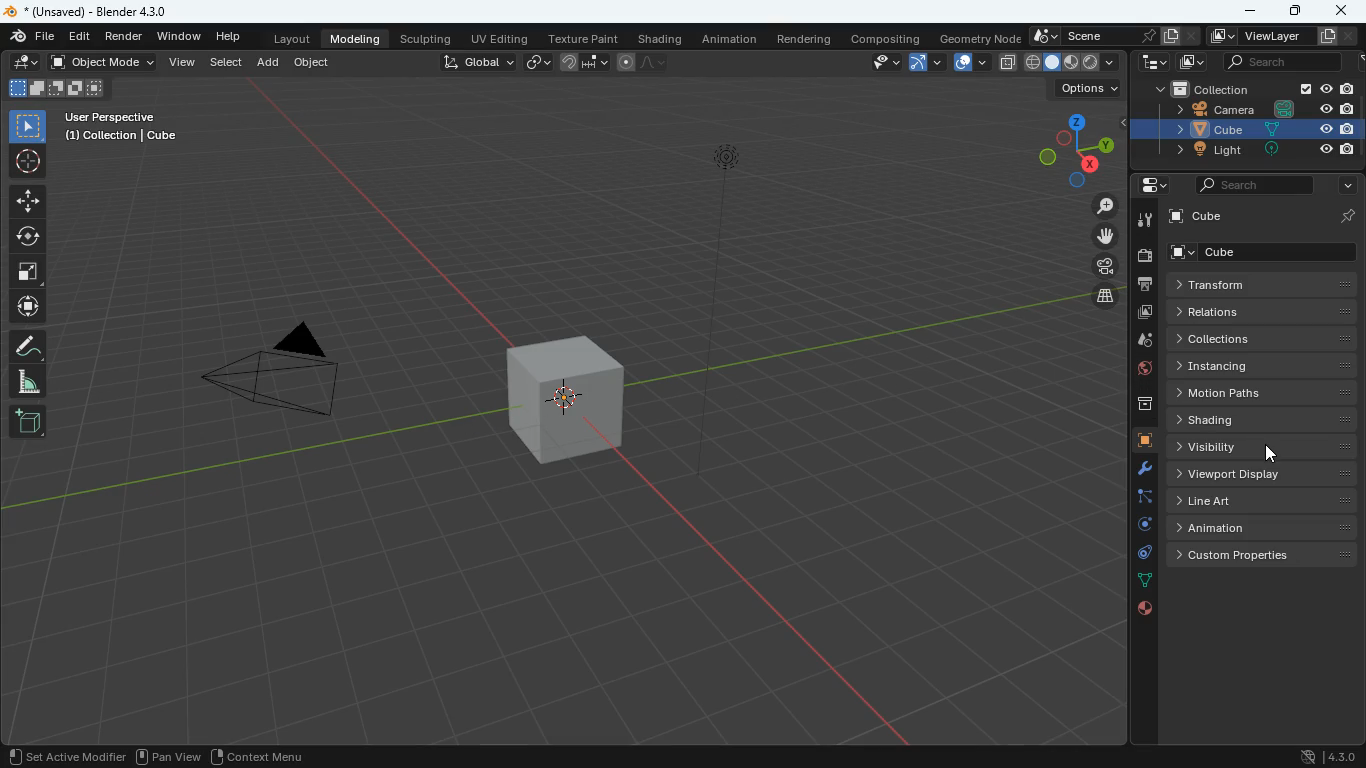  What do you see at coordinates (1262, 555) in the screenshot?
I see `custom properties` at bounding box center [1262, 555].